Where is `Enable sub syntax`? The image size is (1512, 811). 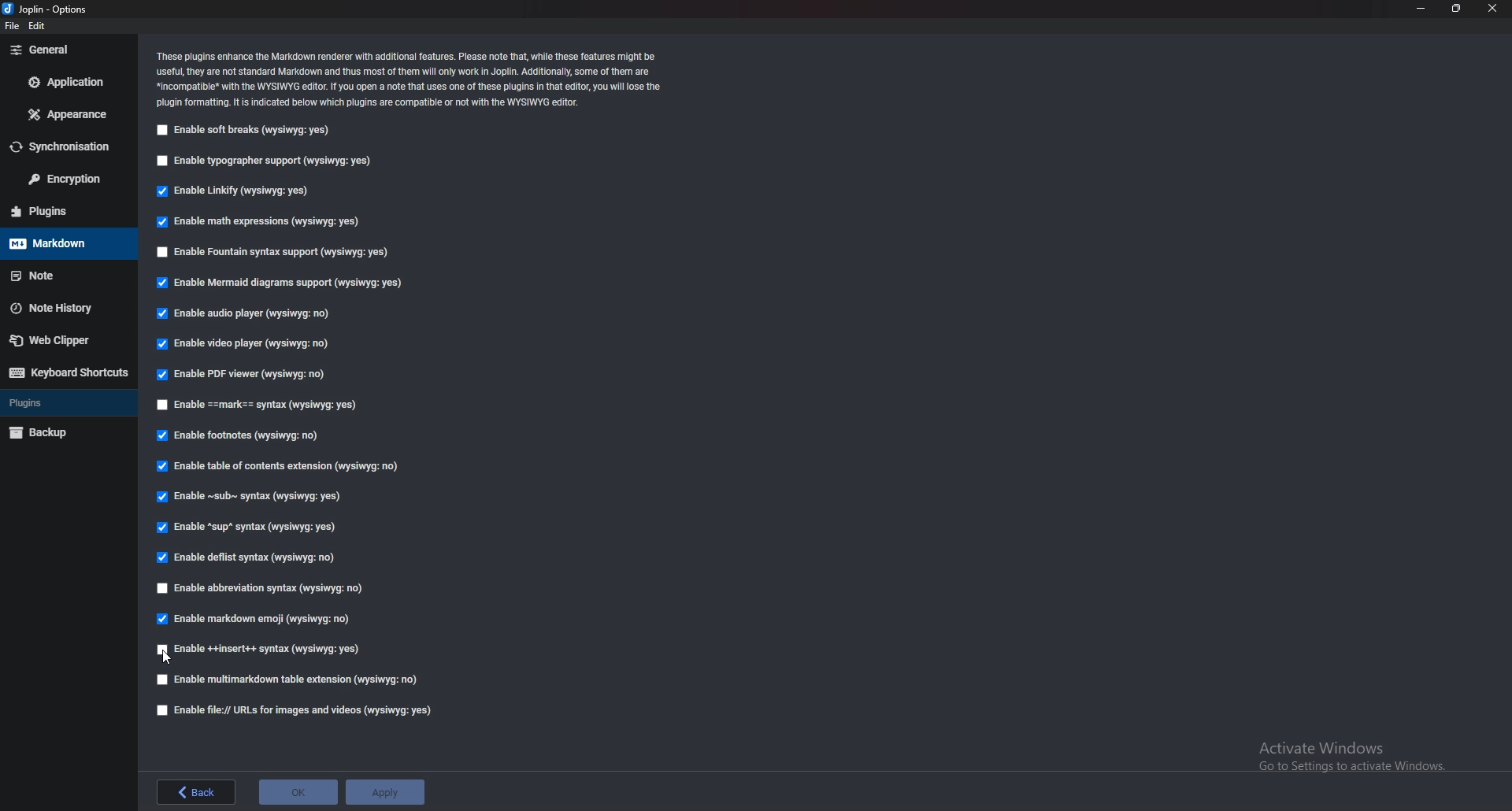
Enable sub syntax is located at coordinates (245, 500).